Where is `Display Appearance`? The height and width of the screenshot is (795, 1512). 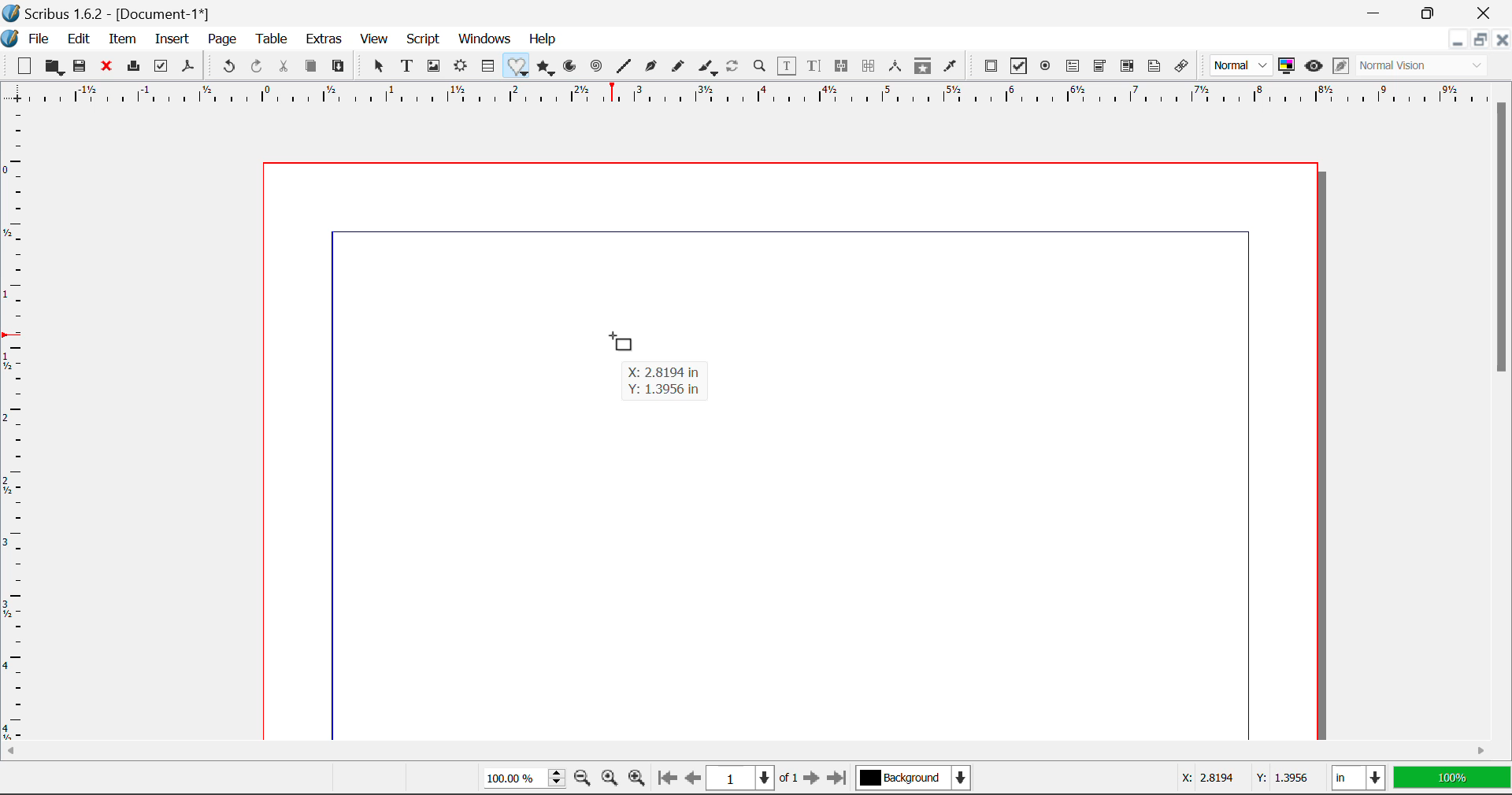
Display Appearance is located at coordinates (1451, 779).